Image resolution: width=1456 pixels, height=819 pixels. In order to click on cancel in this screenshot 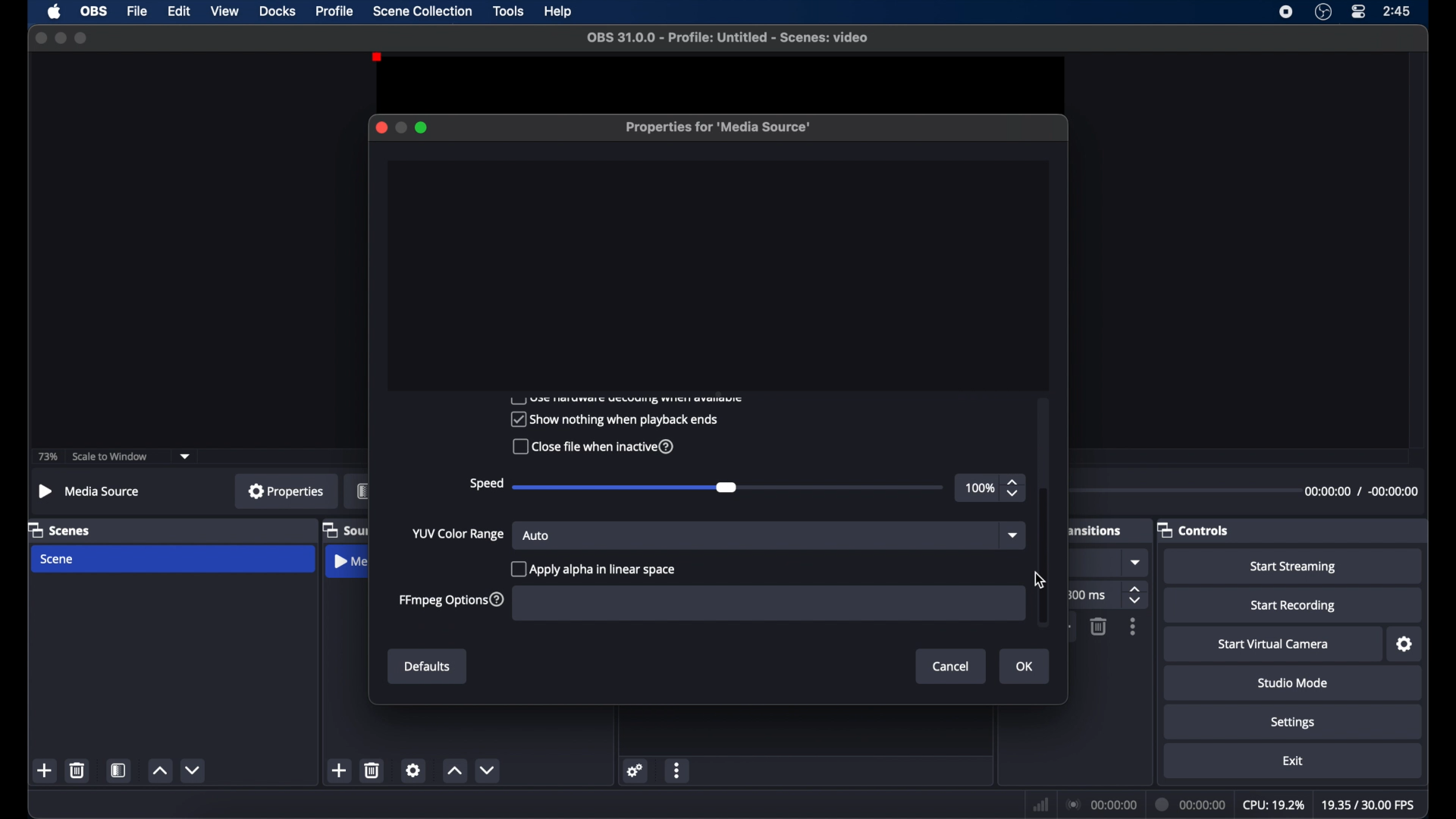, I will do `click(952, 666)`.